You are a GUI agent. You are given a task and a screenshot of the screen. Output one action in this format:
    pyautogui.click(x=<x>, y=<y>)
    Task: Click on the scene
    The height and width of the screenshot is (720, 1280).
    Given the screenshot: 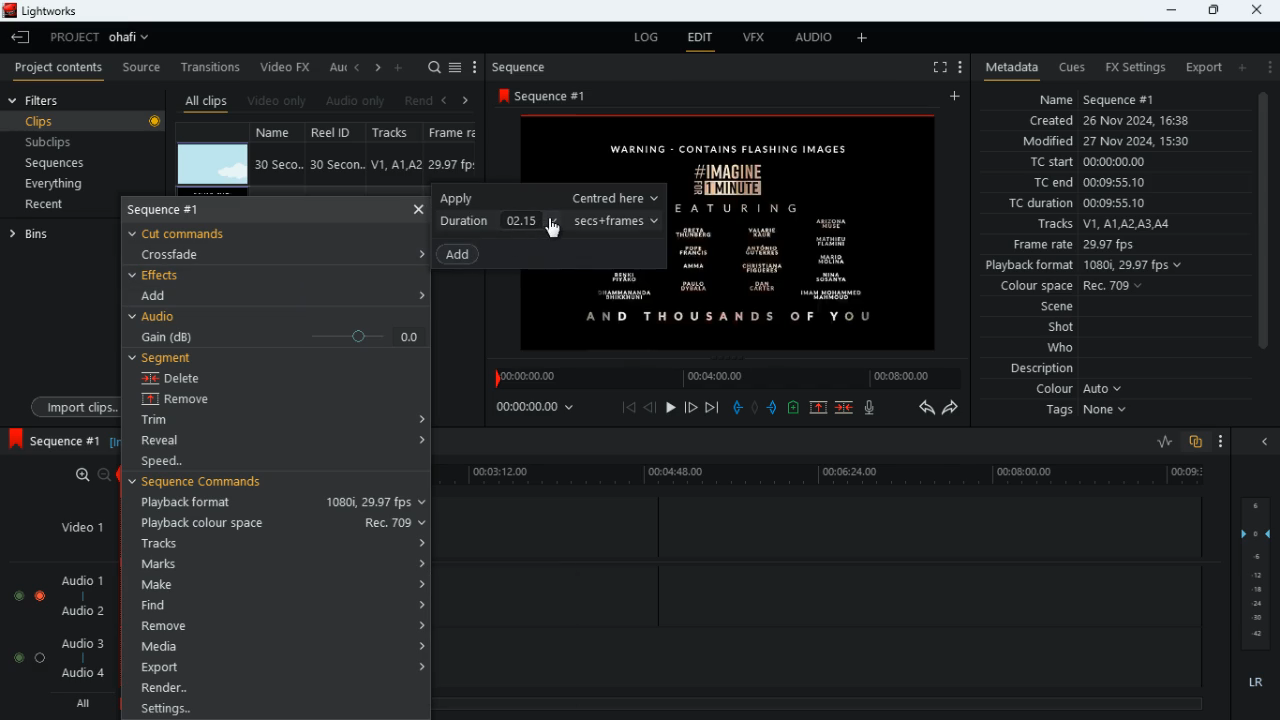 What is the action you would take?
    pyautogui.click(x=1058, y=308)
    